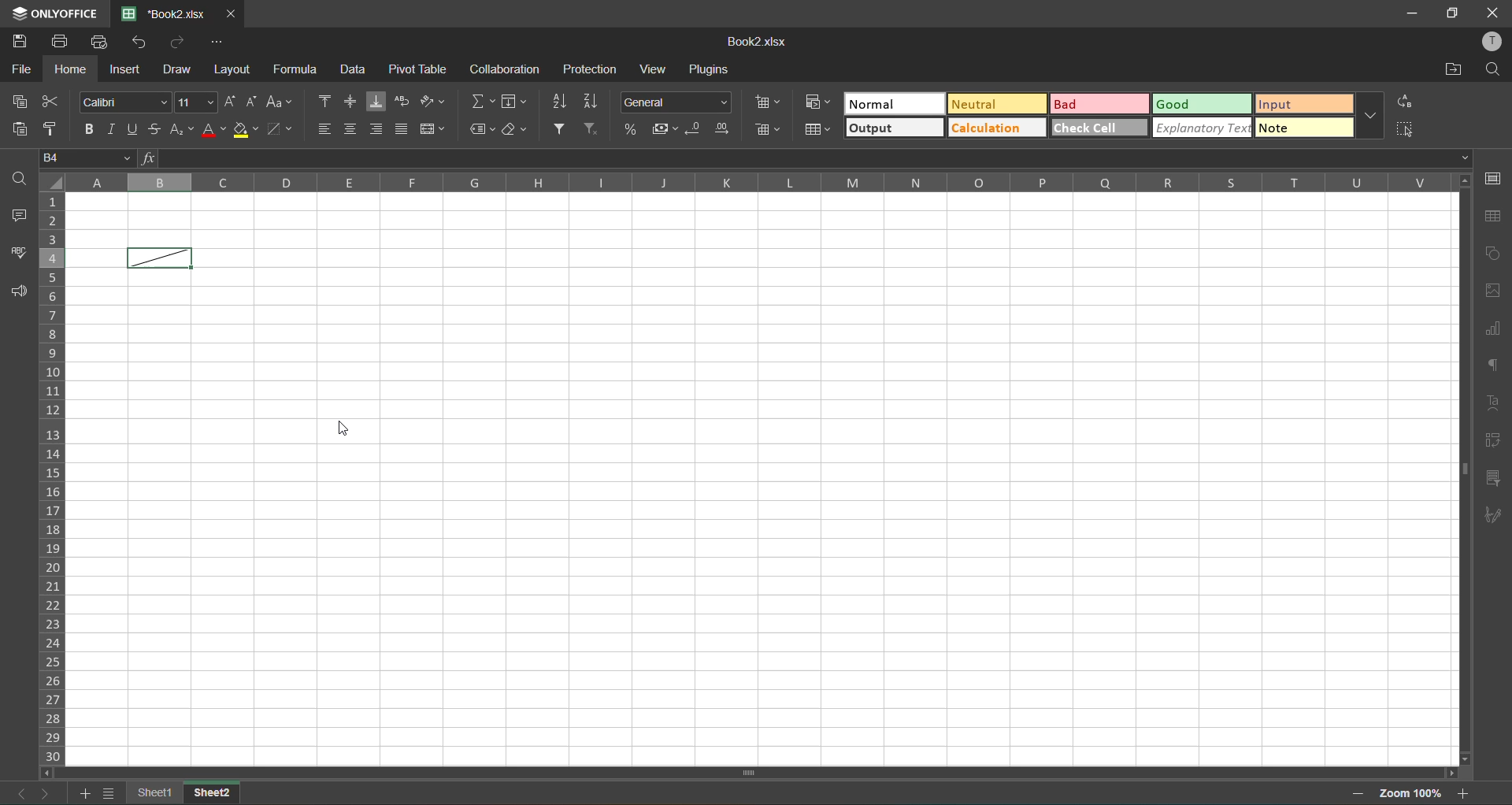 Image resolution: width=1512 pixels, height=805 pixels. Describe the element at coordinates (484, 130) in the screenshot. I see `named ranges` at that location.